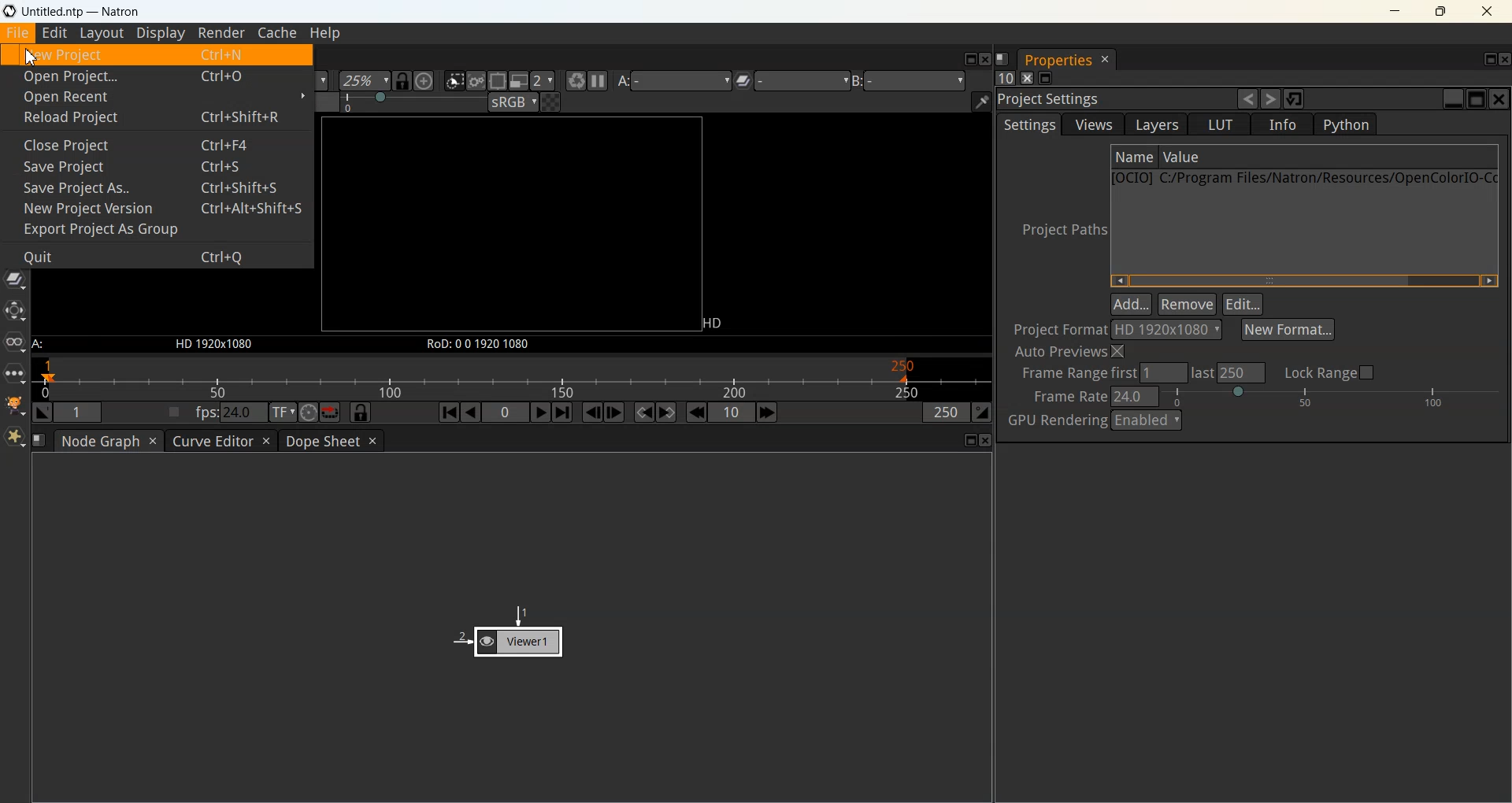 This screenshot has width=1512, height=803. What do you see at coordinates (403, 81) in the screenshot?
I see `Lock Viewport` at bounding box center [403, 81].